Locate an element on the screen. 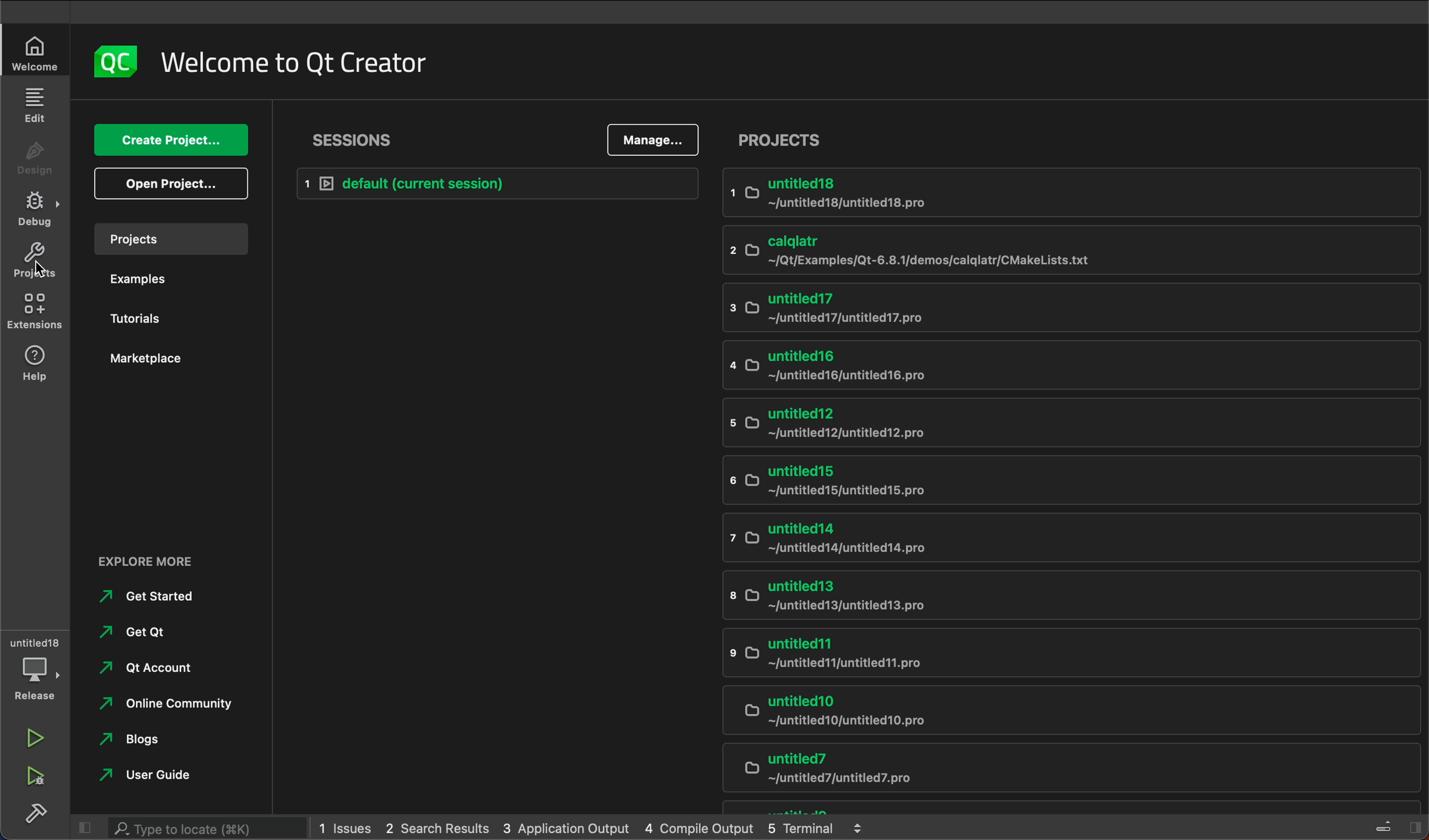  welcome to qt creator is located at coordinates (297, 60).